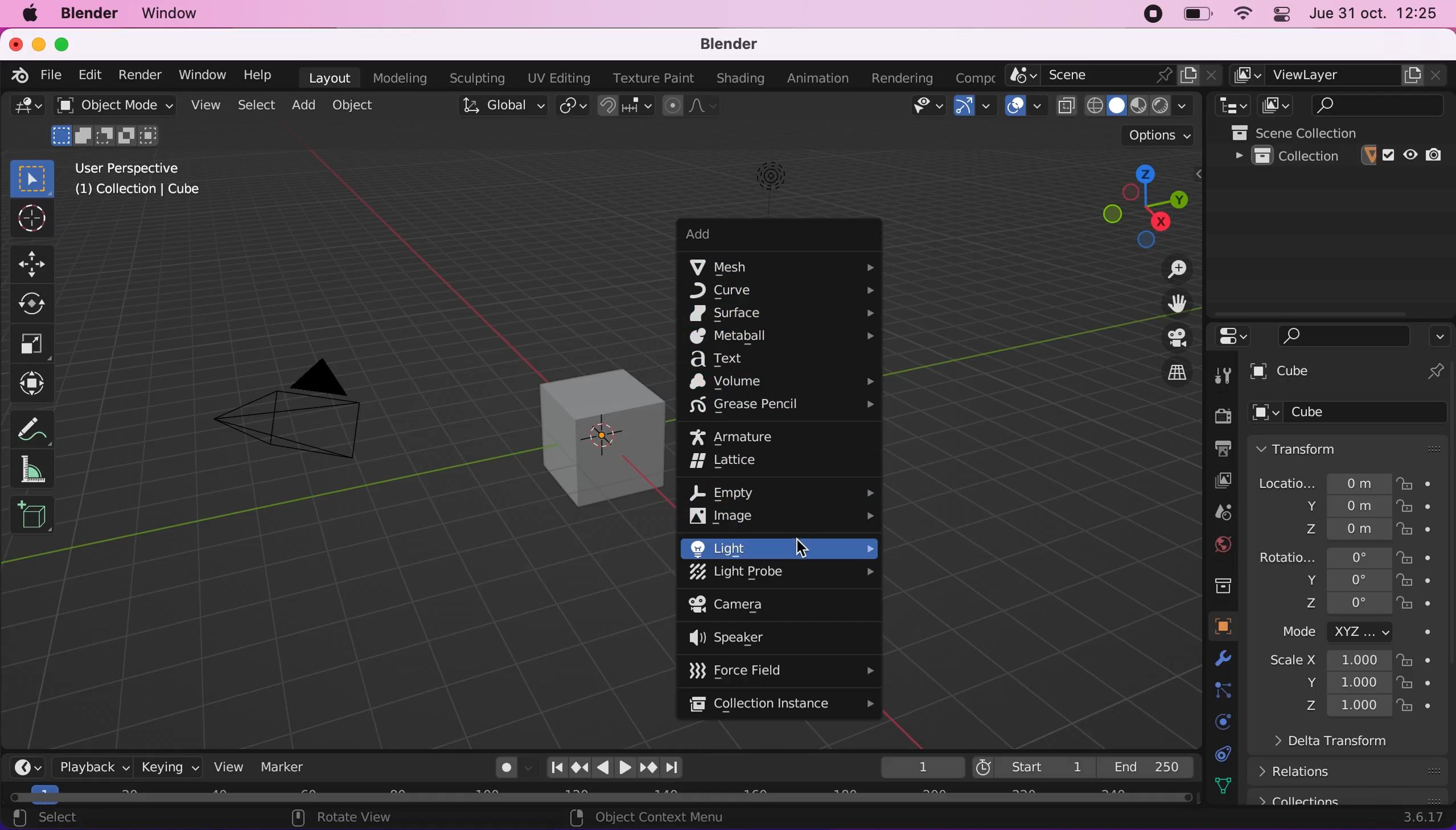  Describe the element at coordinates (737, 44) in the screenshot. I see `blender` at that location.